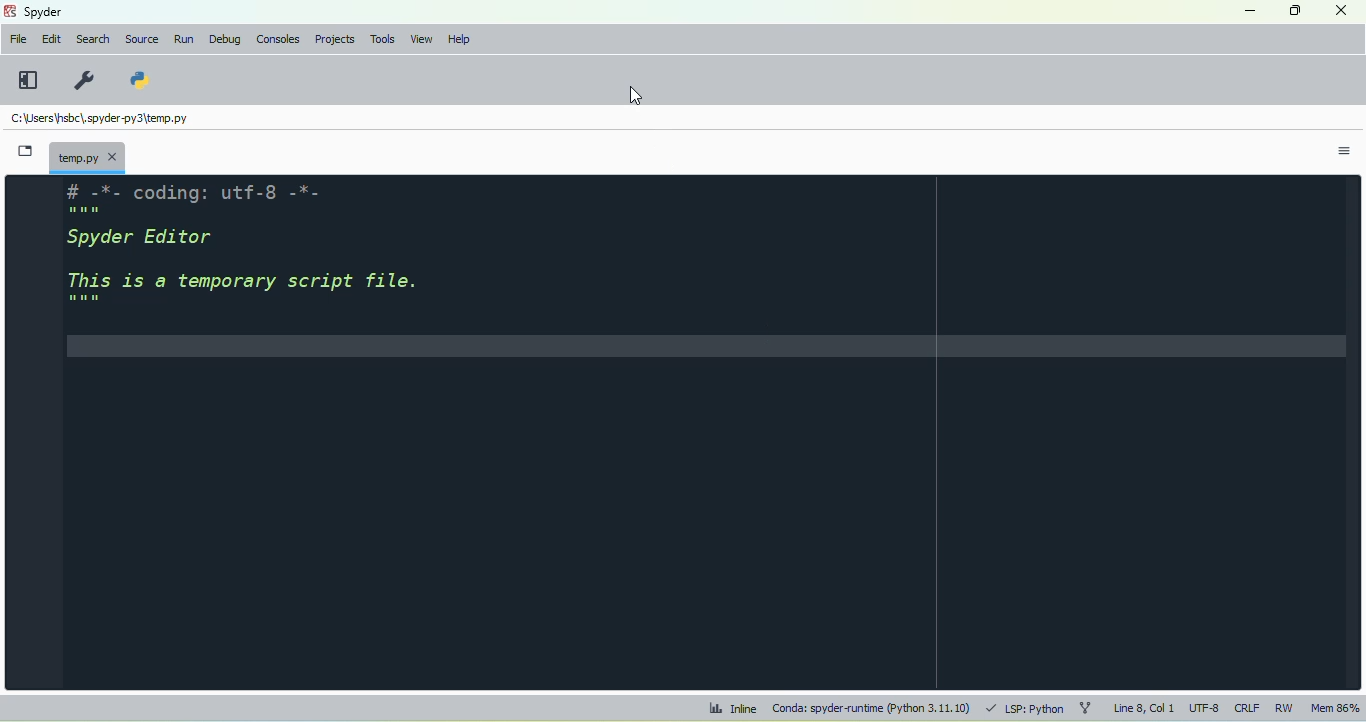  Describe the element at coordinates (1026, 708) in the screenshot. I see `LSP: python` at that location.